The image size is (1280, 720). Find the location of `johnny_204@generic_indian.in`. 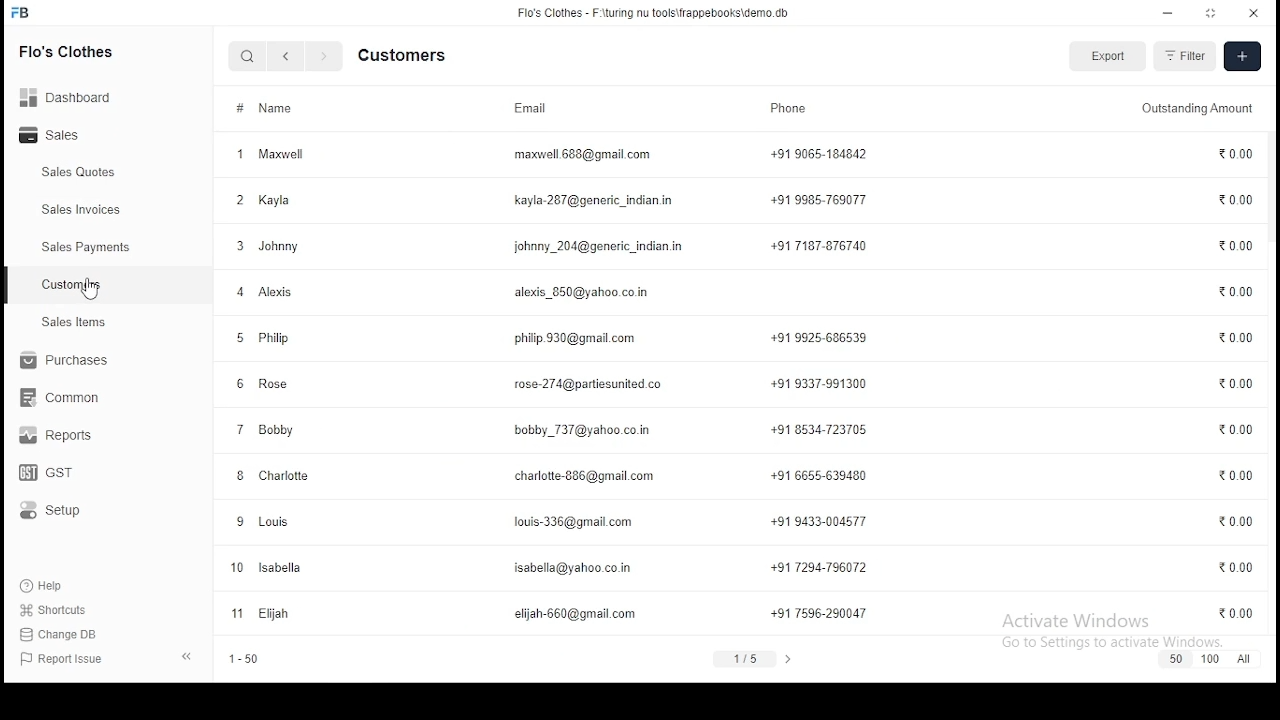

johnny_204@generic_indian.in is located at coordinates (602, 248).